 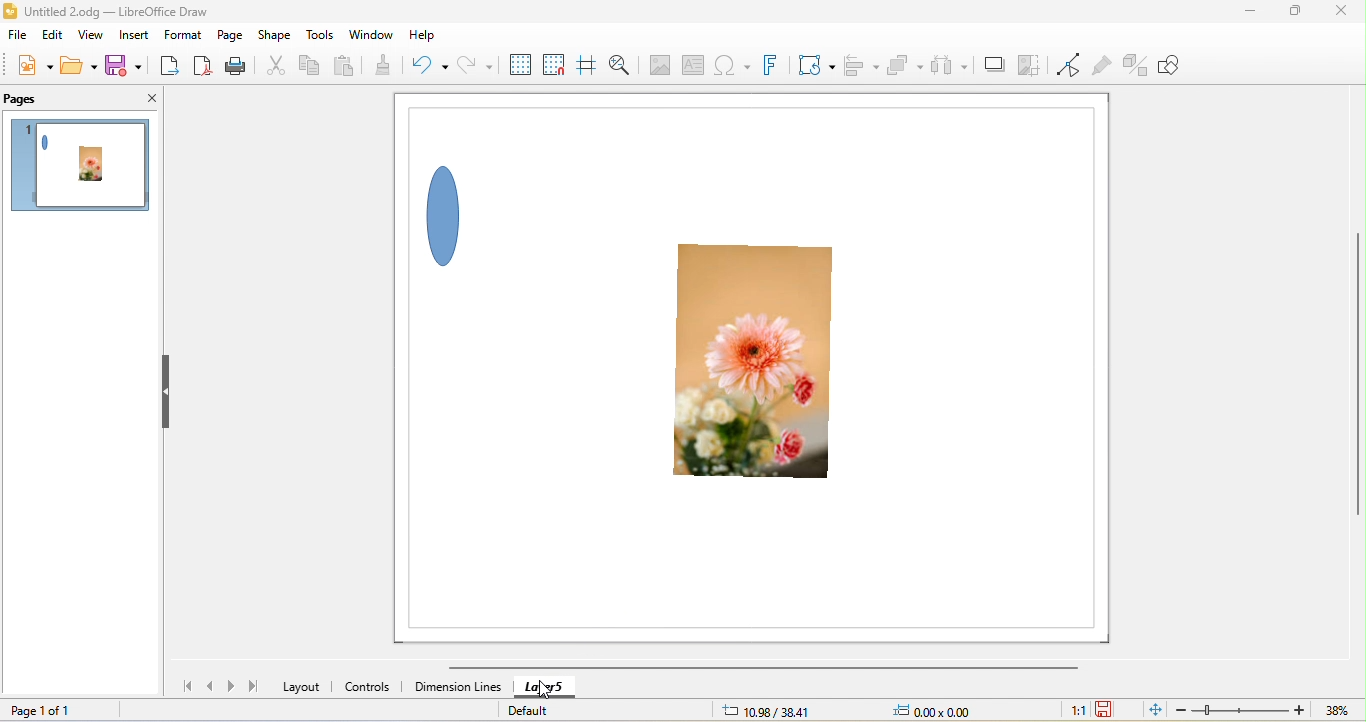 I want to click on dimension lines, so click(x=457, y=689).